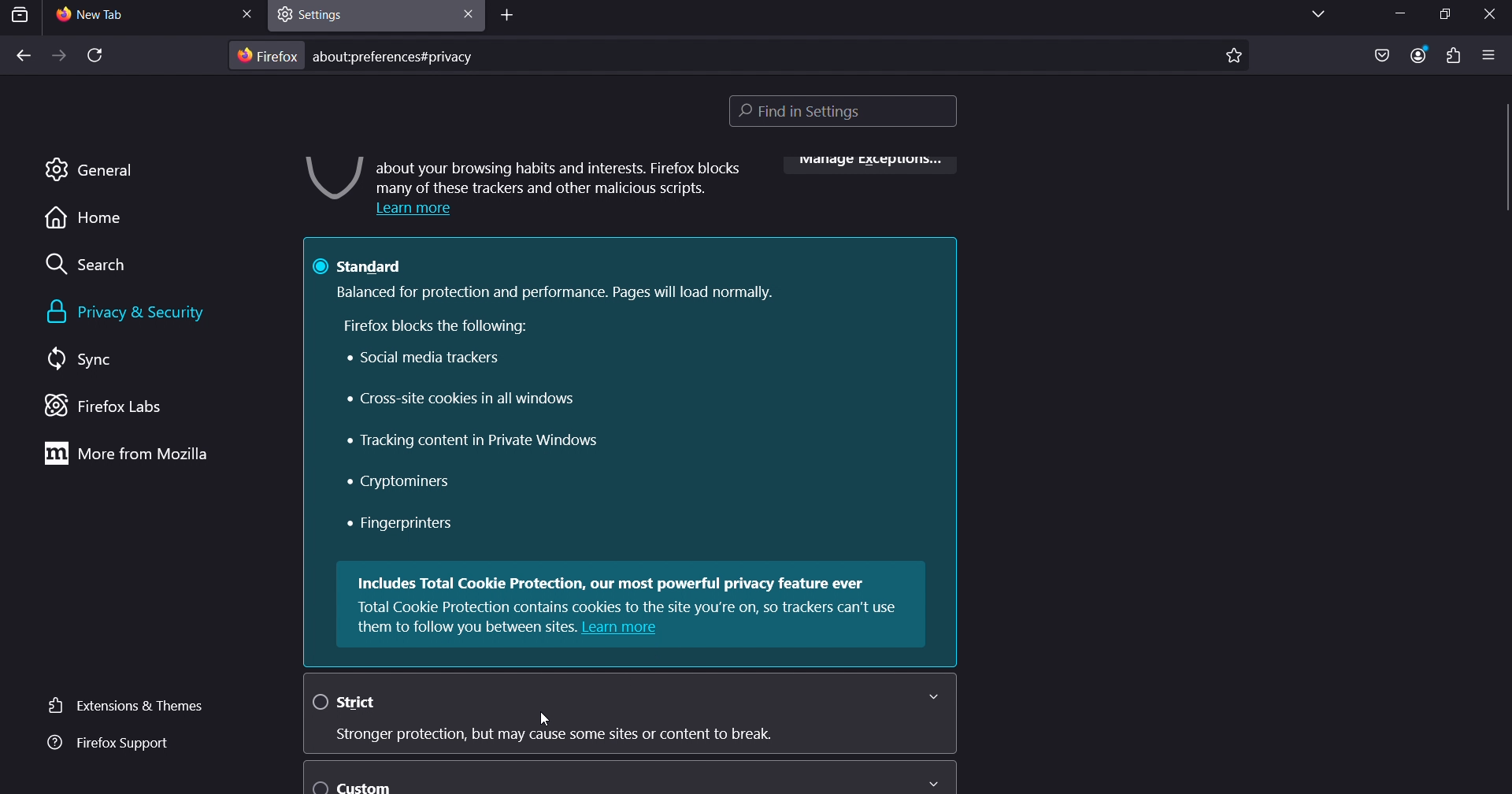 This screenshot has width=1512, height=794. Describe the element at coordinates (402, 55) in the screenshot. I see `about:preferences#privacy` at that location.